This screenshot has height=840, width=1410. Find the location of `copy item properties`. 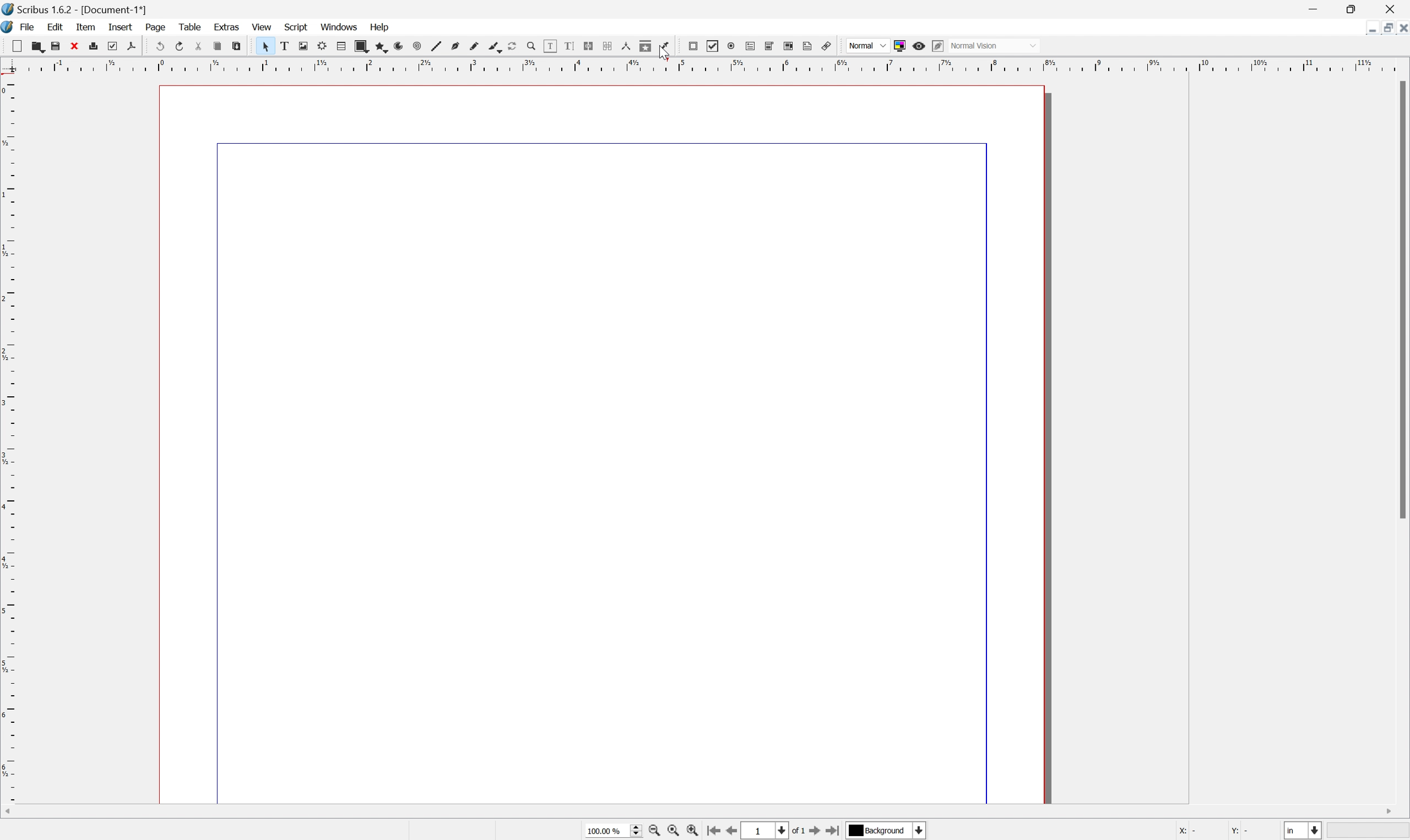

copy item properties is located at coordinates (646, 46).